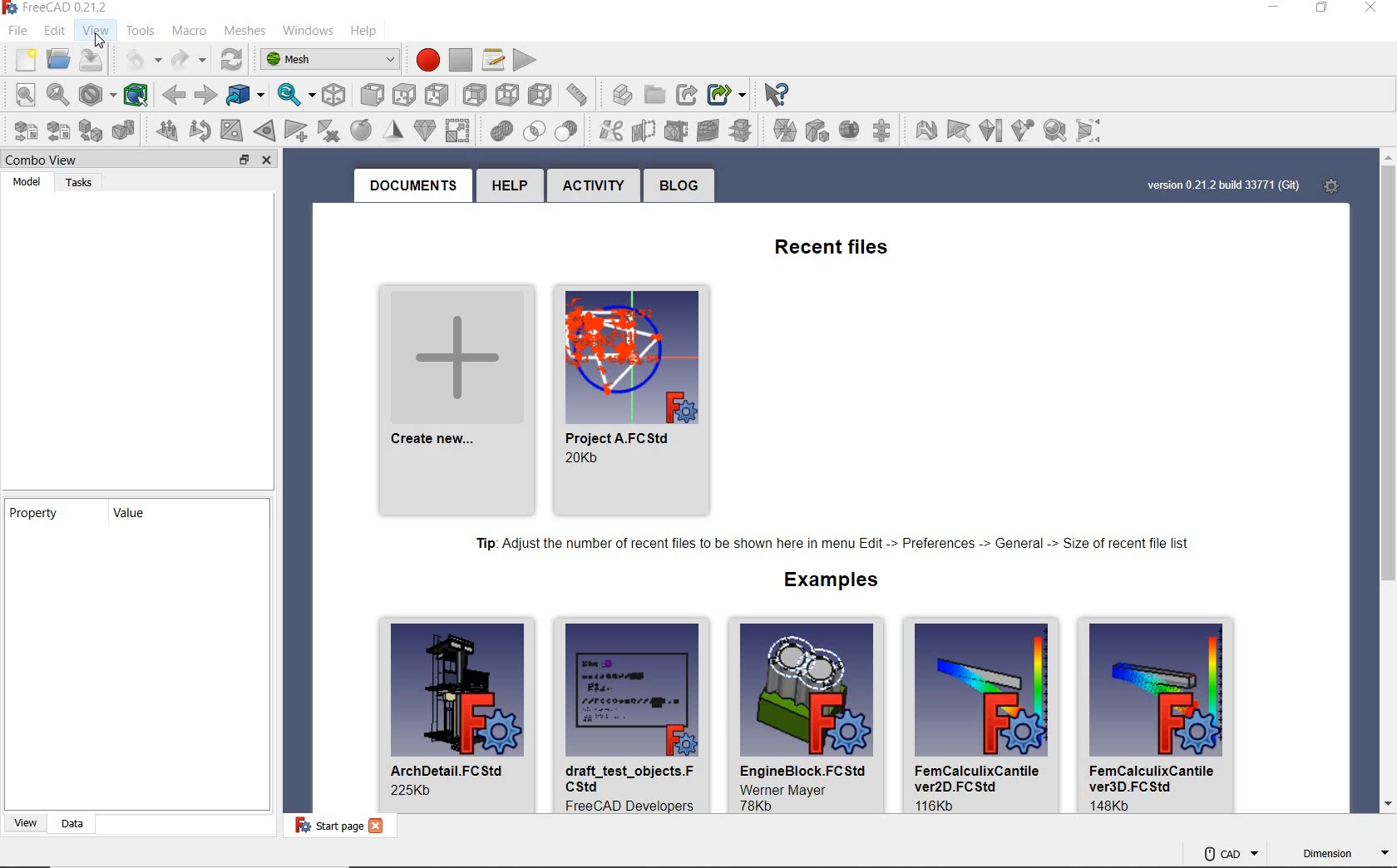  What do you see at coordinates (120, 129) in the screenshot?
I see `regular solid` at bounding box center [120, 129].